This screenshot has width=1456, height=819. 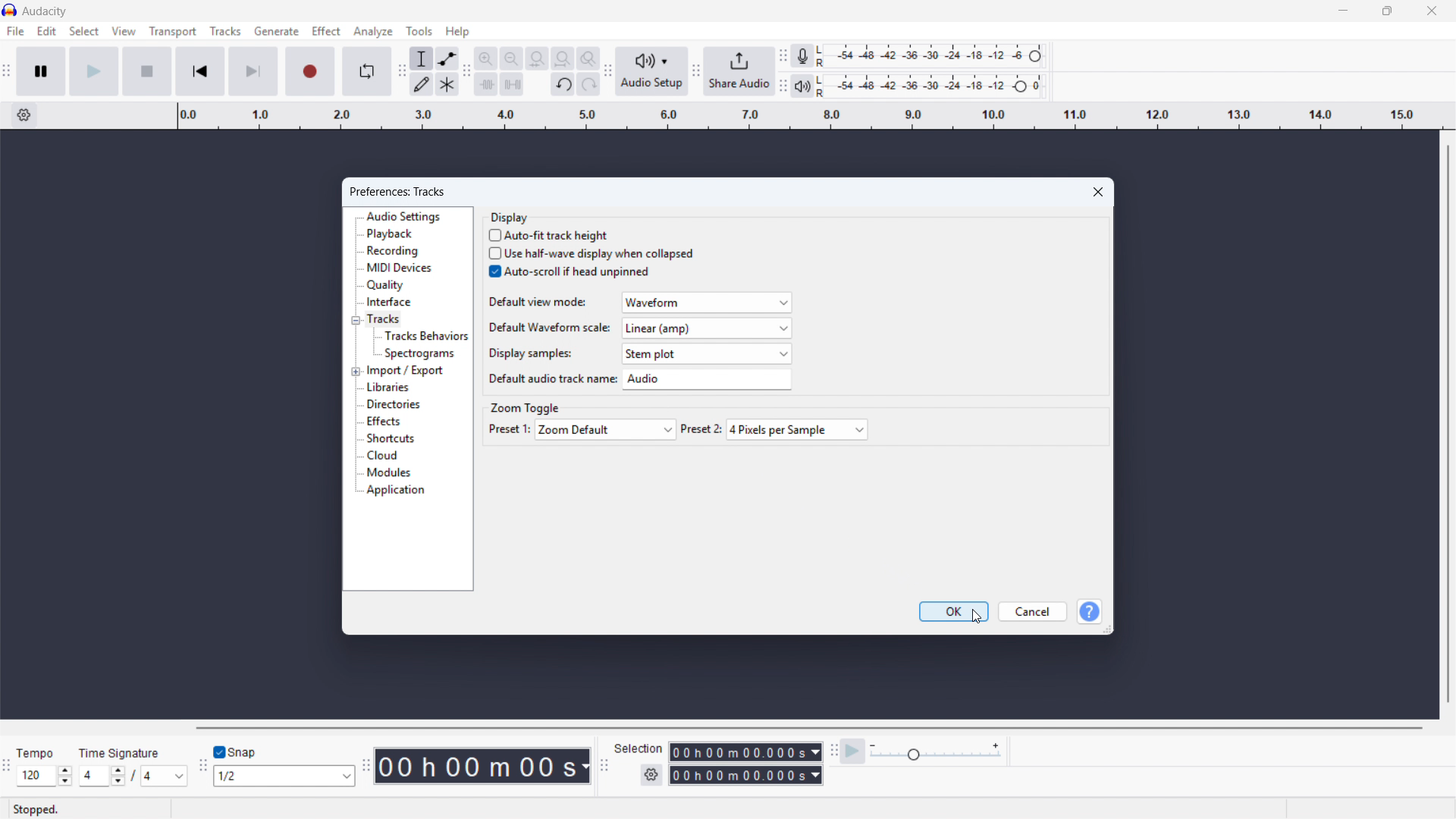 What do you see at coordinates (24, 115) in the screenshot?
I see `timeline settings` at bounding box center [24, 115].